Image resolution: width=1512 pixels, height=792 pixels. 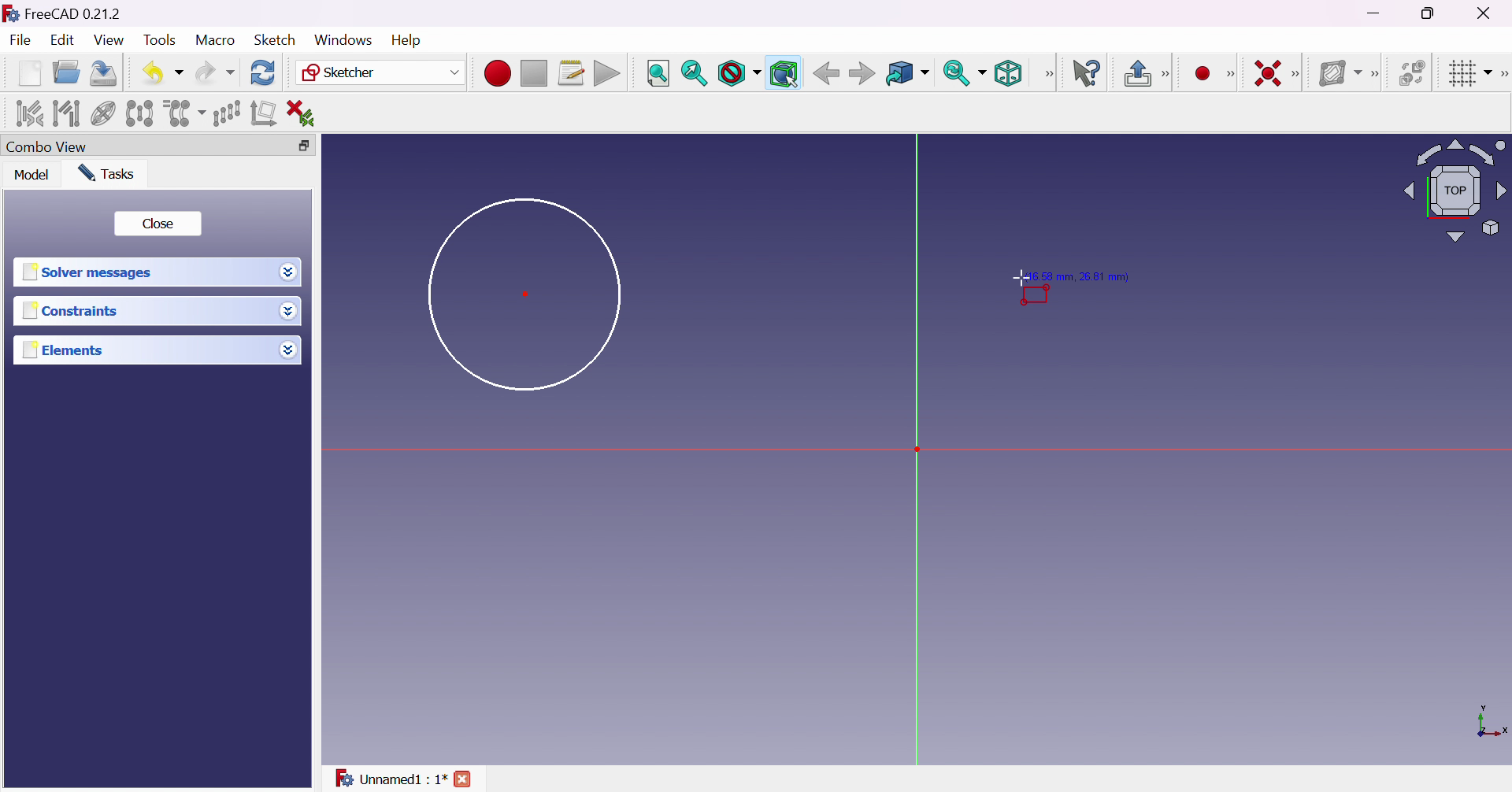 What do you see at coordinates (183, 112) in the screenshot?
I see `Clone` at bounding box center [183, 112].